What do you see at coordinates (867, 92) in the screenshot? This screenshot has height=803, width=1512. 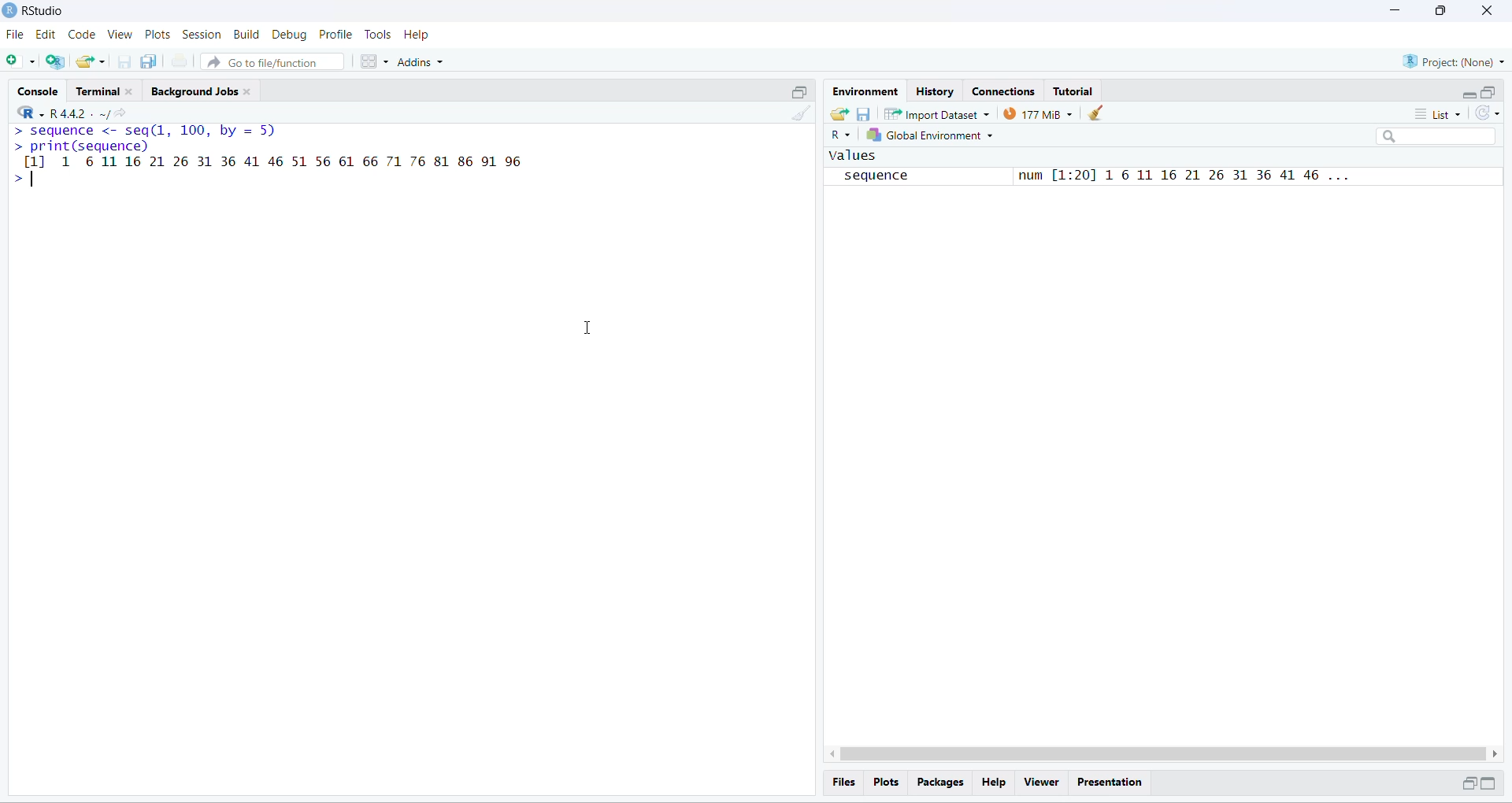 I see `enviornment` at bounding box center [867, 92].